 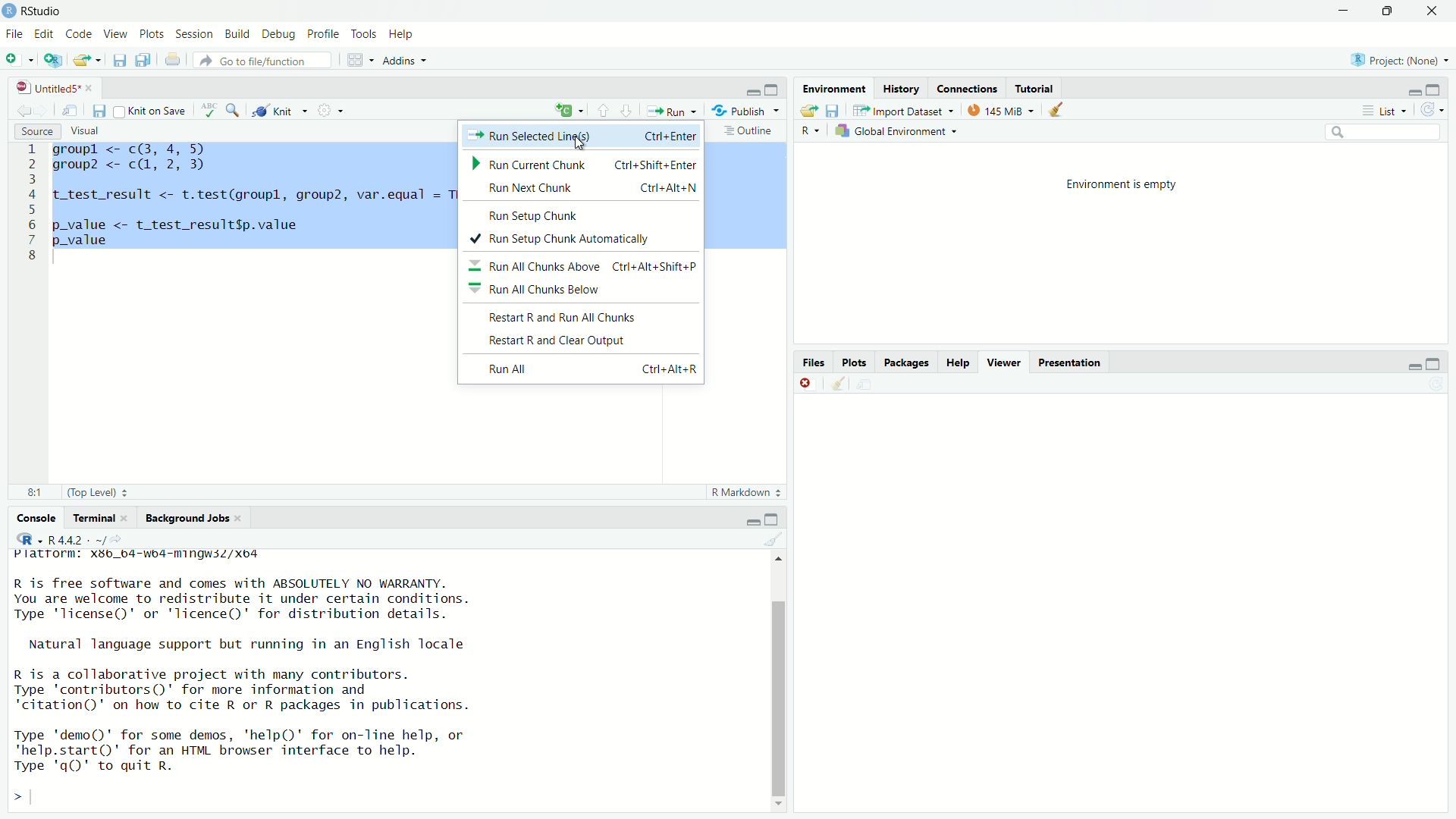 What do you see at coordinates (1436, 361) in the screenshot?
I see `maximise` at bounding box center [1436, 361].